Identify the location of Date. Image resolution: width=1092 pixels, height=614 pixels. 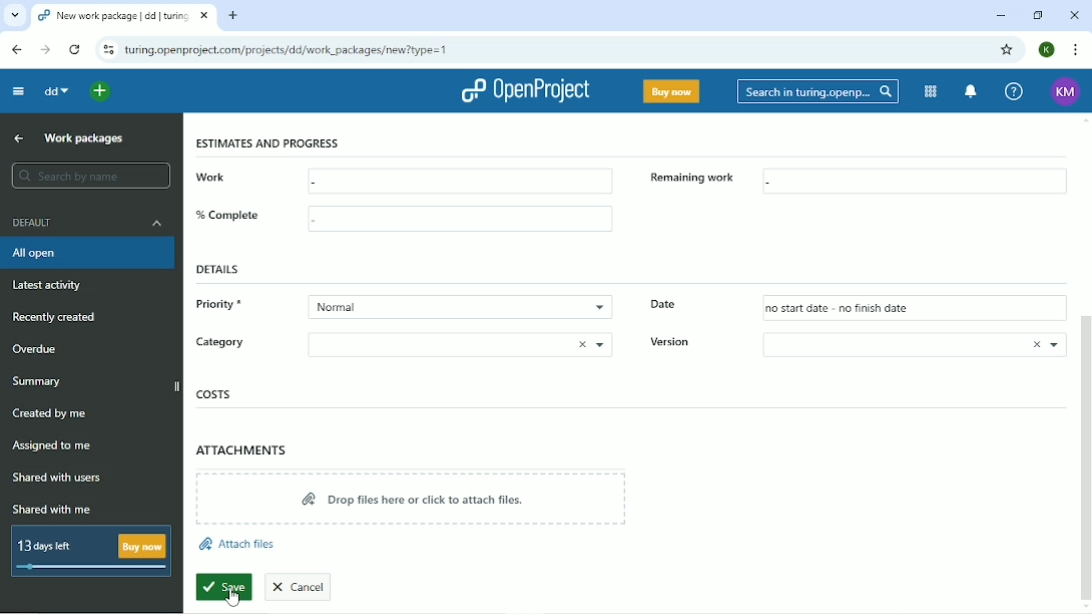
(681, 307).